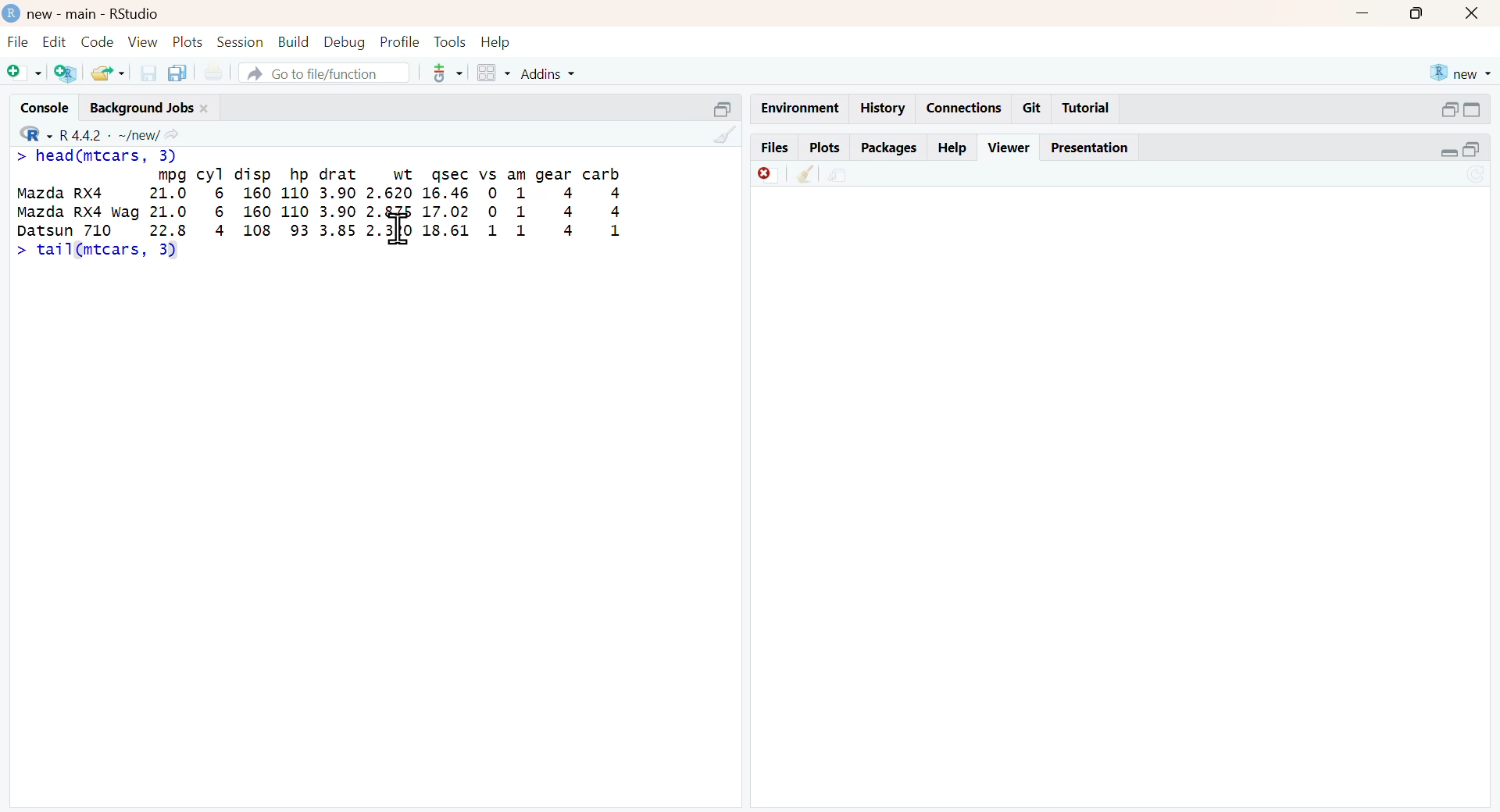 Image resolution: width=1500 pixels, height=812 pixels. Describe the element at coordinates (1096, 148) in the screenshot. I see `Presentation` at that location.